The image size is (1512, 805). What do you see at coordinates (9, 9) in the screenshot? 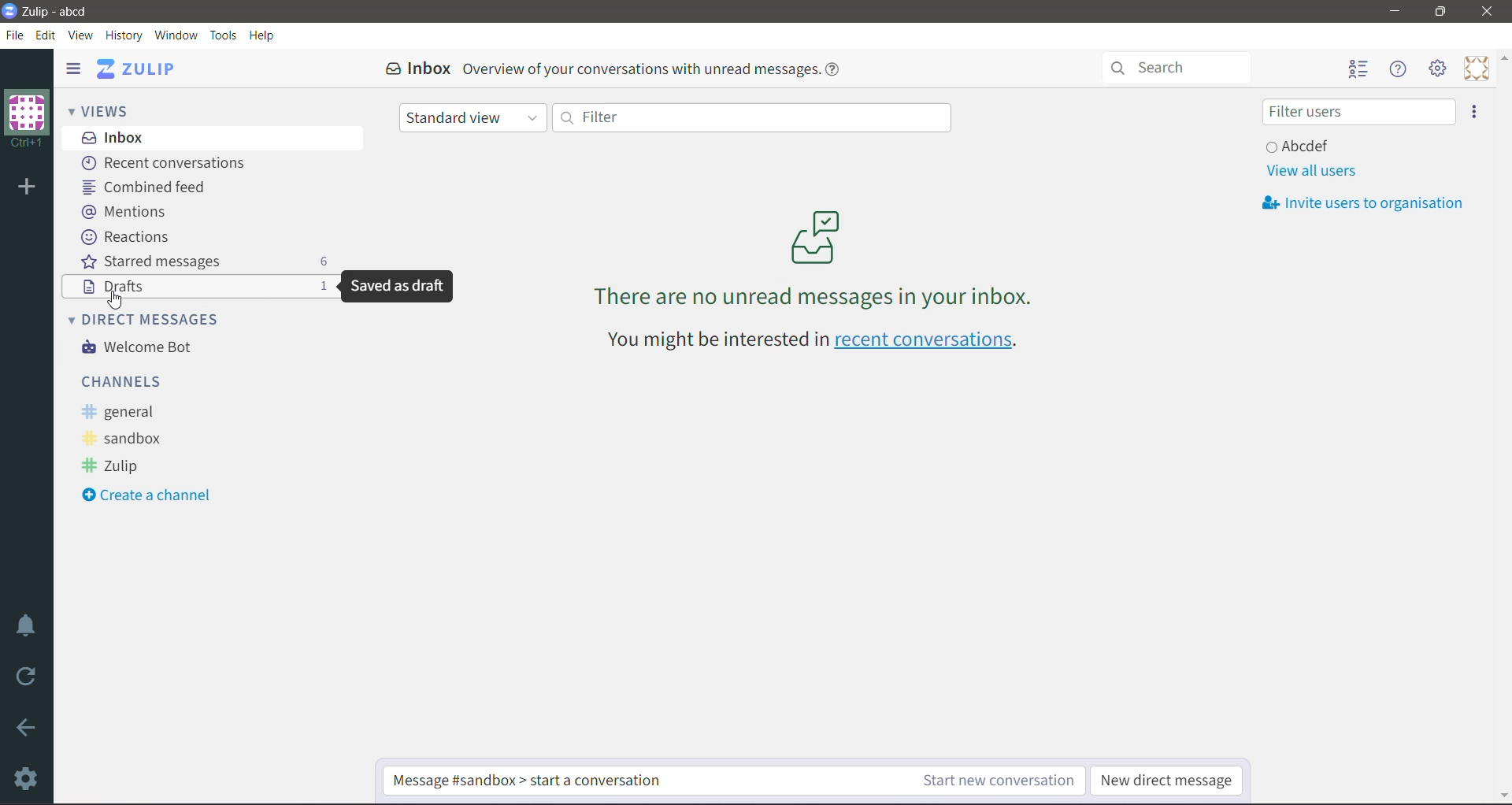
I see `Application Logo` at bounding box center [9, 9].